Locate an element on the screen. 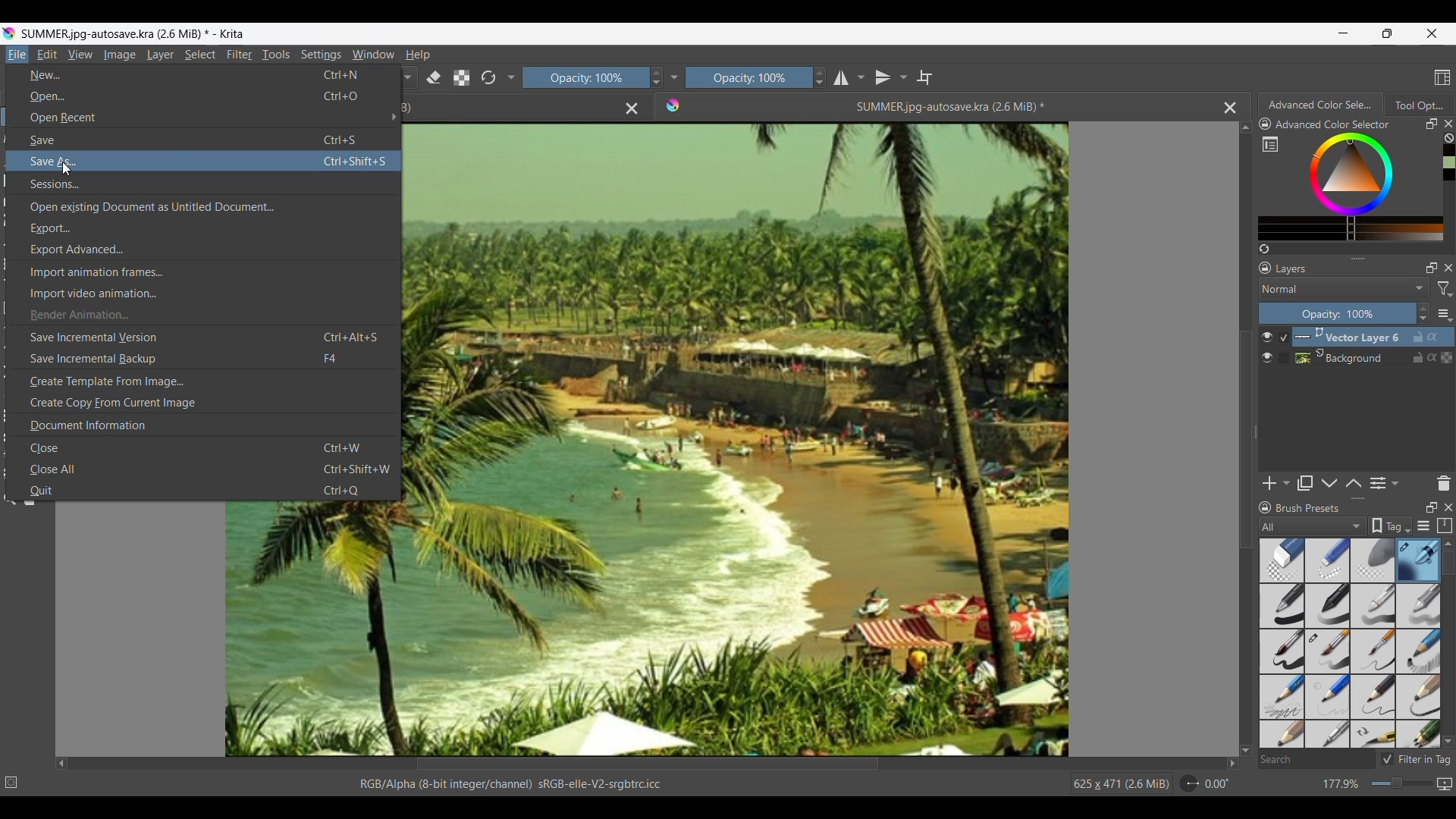  Show full color setting in separate window is located at coordinates (1270, 144).